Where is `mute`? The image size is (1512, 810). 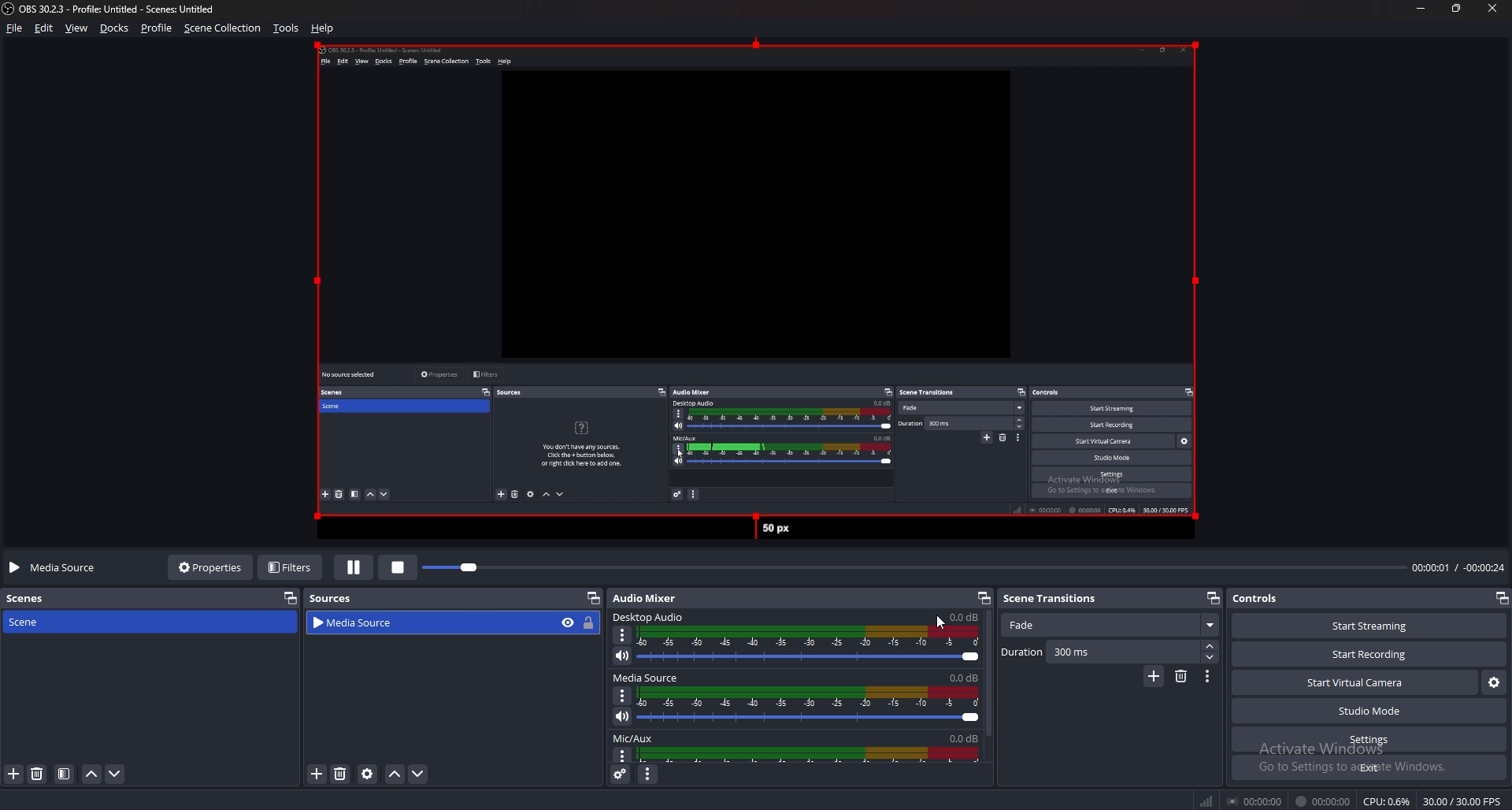 mute is located at coordinates (622, 656).